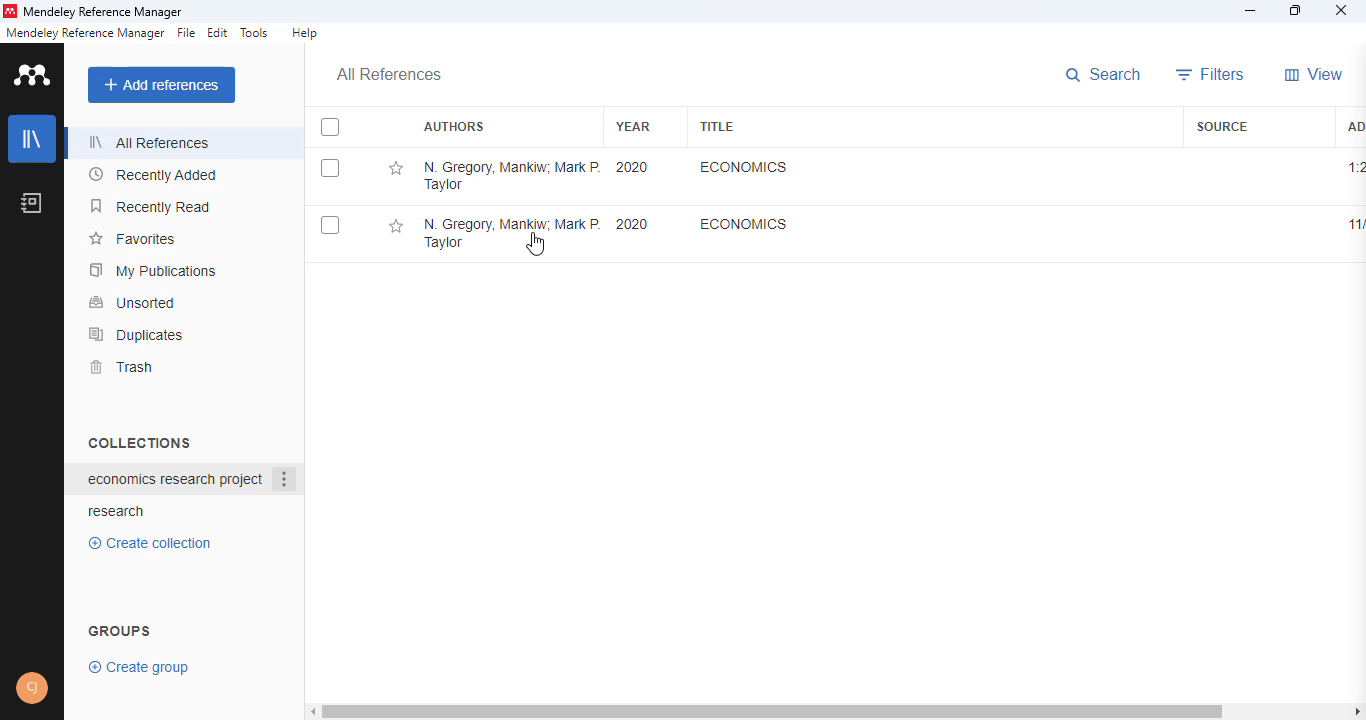 This screenshot has height=720, width=1366. I want to click on N. Gregory Mankiw, Mark P. Taylor, so click(511, 175).